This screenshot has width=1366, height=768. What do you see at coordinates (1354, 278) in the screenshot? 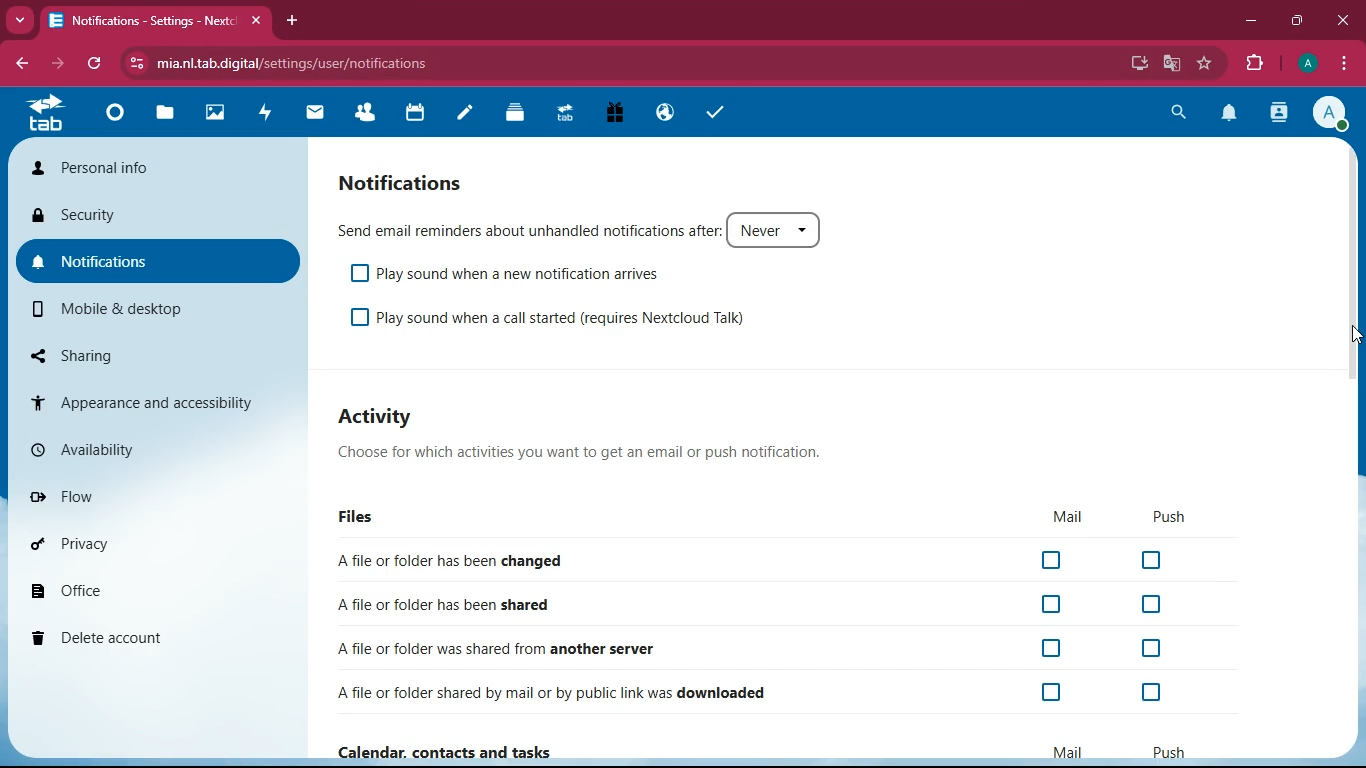
I see `vertical scrollbar` at bounding box center [1354, 278].